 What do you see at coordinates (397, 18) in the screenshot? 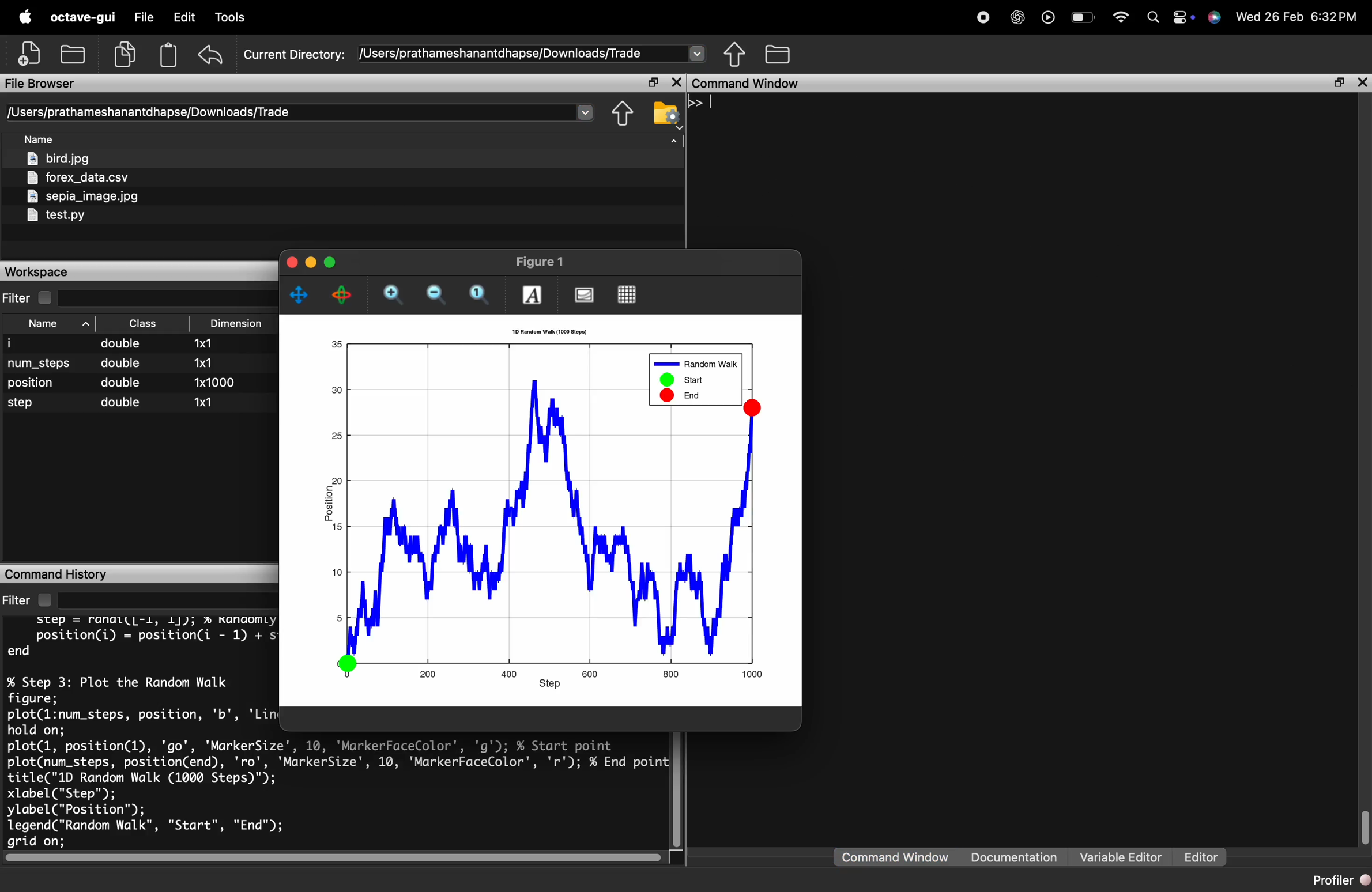
I see `help` at bounding box center [397, 18].